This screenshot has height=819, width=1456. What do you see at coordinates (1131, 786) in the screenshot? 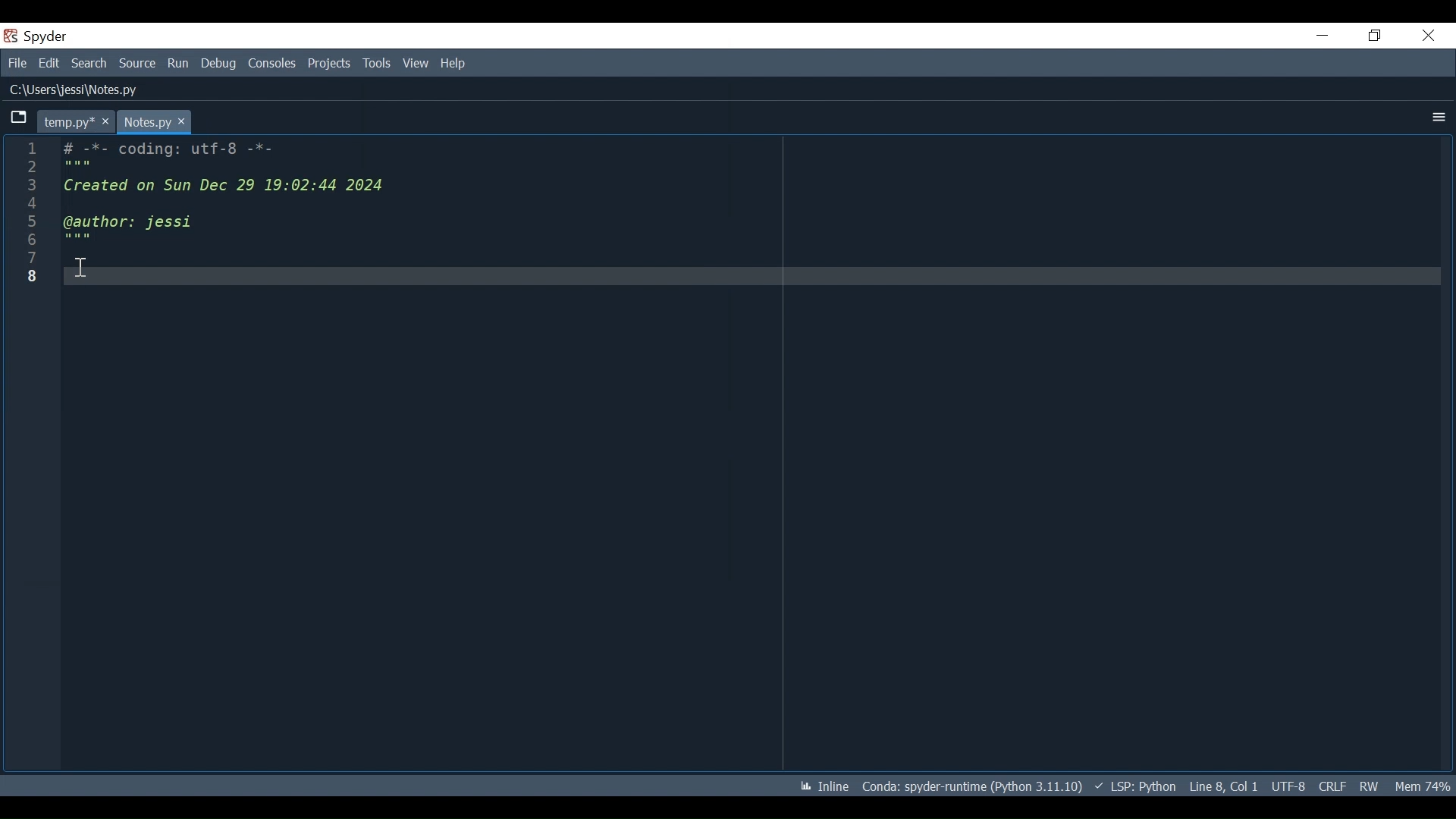
I see `Language` at bounding box center [1131, 786].